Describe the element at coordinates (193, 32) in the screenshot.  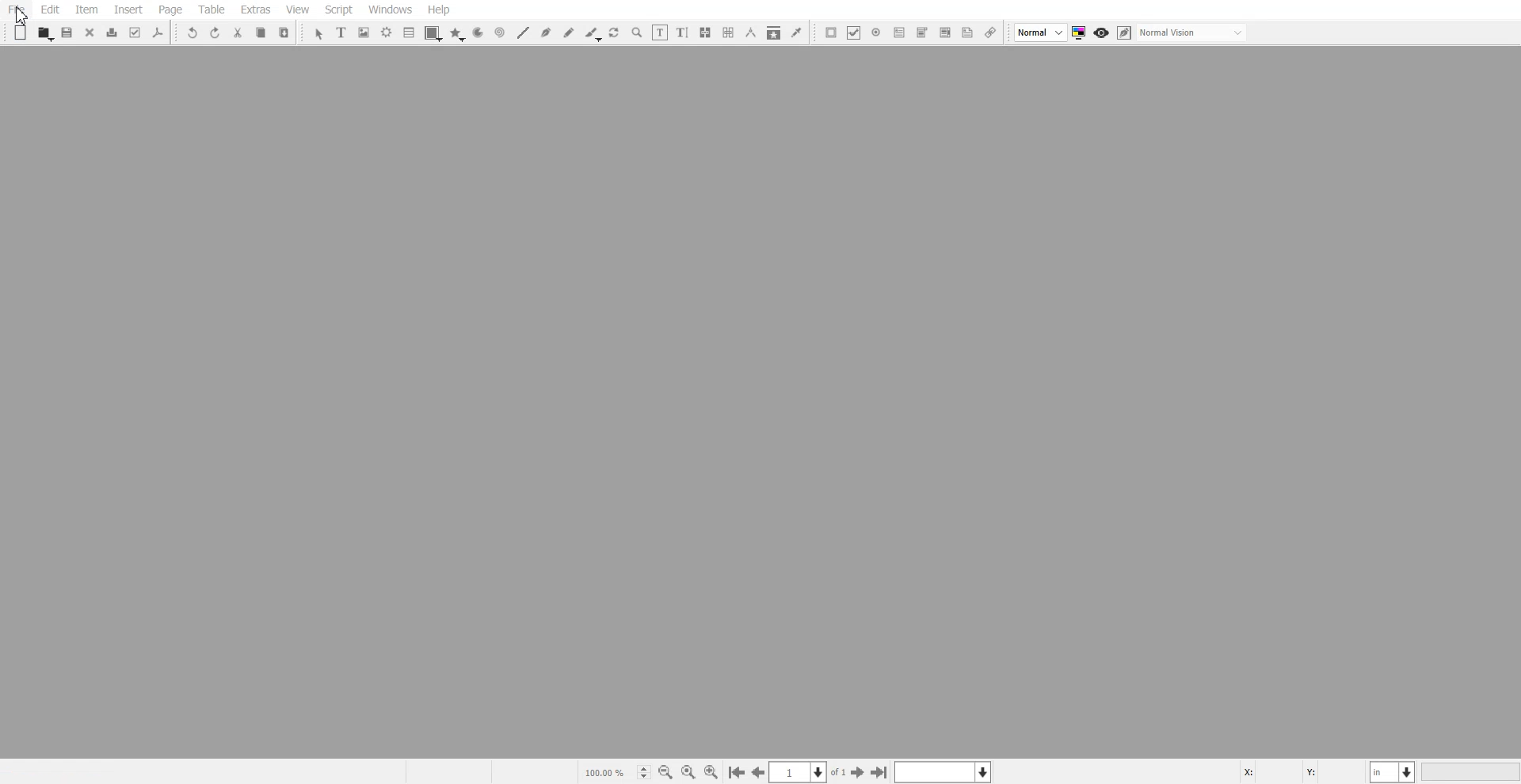
I see `Undo` at that location.